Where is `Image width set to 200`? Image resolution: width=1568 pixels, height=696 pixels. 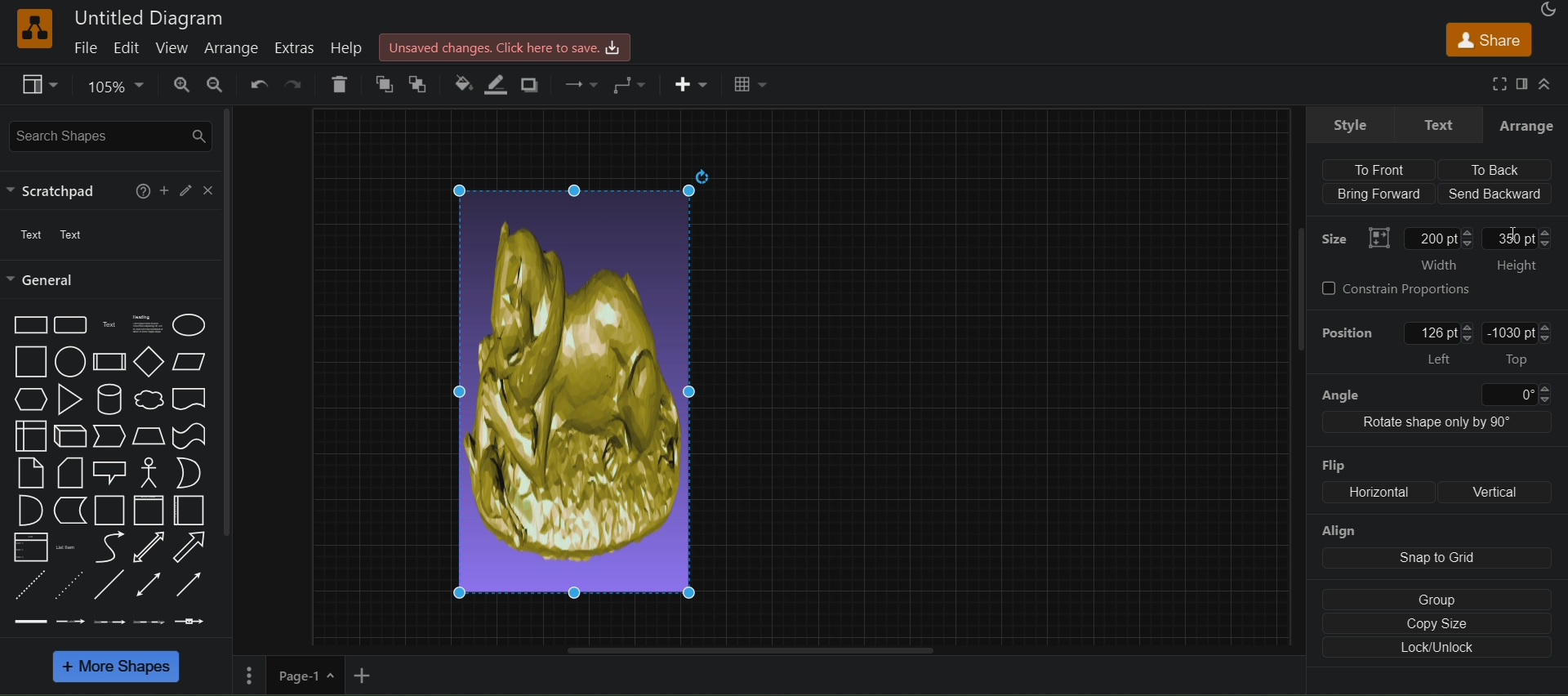 Image width set to 200 is located at coordinates (589, 386).